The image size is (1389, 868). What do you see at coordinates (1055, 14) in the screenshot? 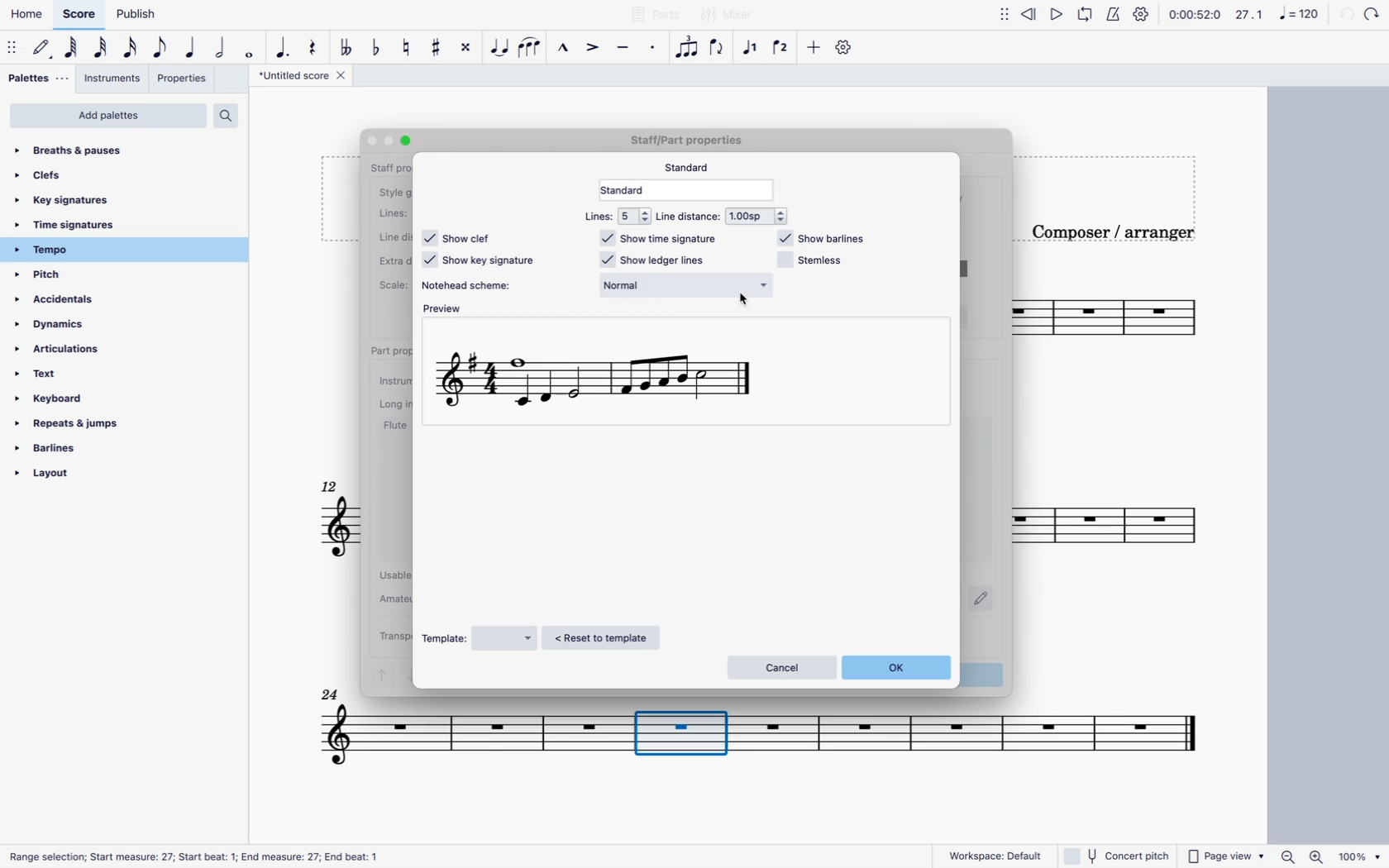
I see `play` at bounding box center [1055, 14].